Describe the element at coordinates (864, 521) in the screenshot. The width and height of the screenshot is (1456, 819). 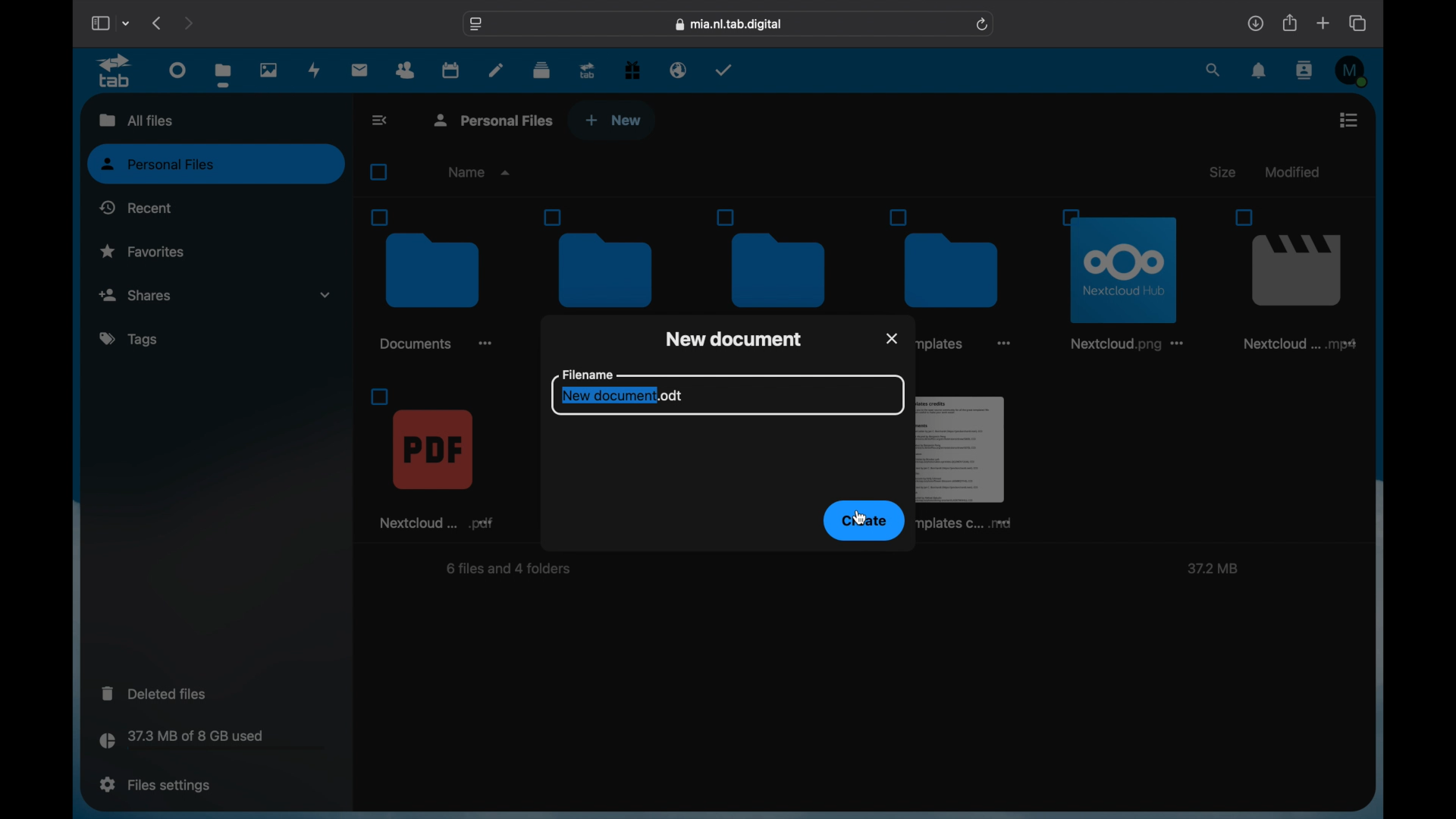
I see `create` at that location.